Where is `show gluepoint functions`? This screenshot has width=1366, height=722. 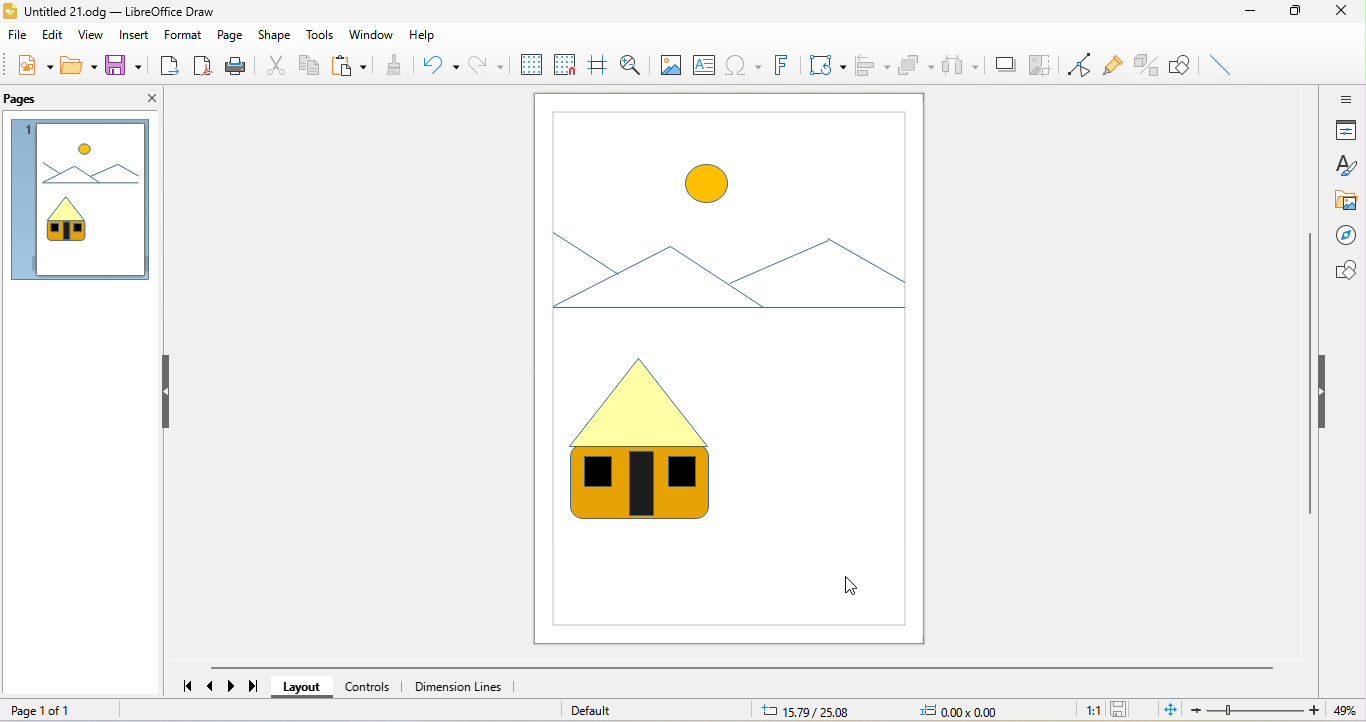
show gluepoint functions is located at coordinates (1118, 68).